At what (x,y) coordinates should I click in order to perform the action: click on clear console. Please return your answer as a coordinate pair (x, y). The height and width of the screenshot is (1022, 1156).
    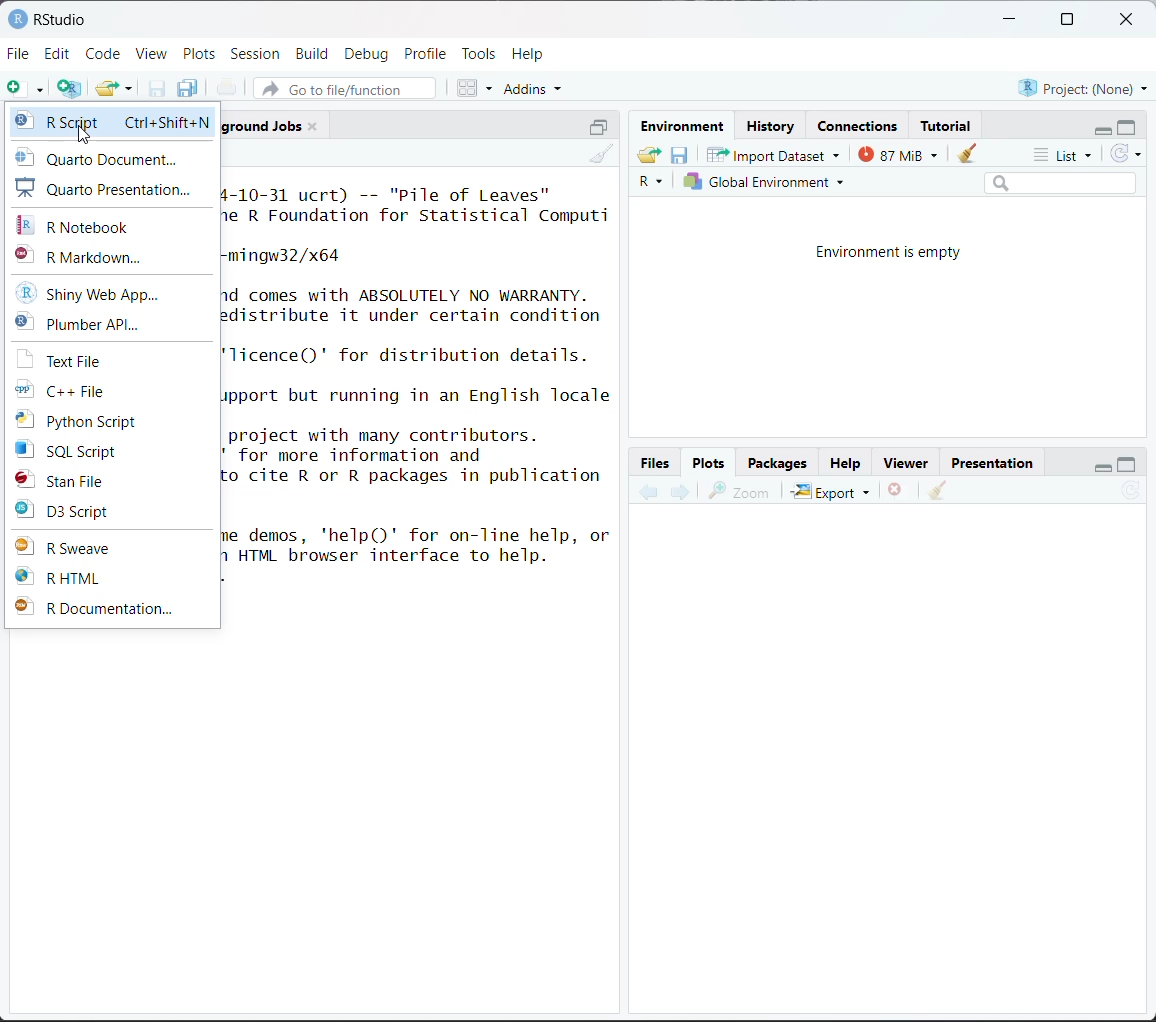
    Looking at the image, I should click on (598, 156).